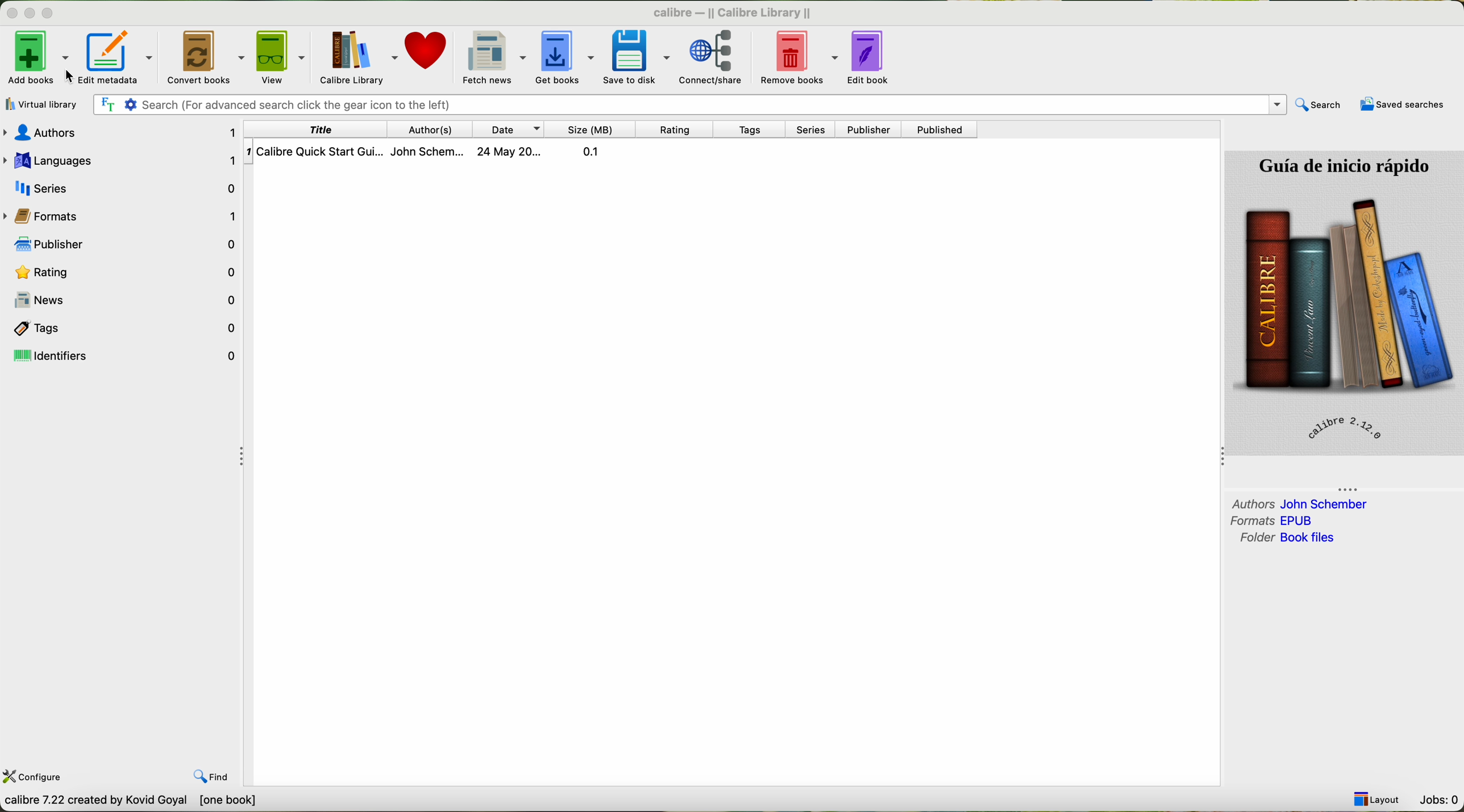 The image size is (1464, 812). What do you see at coordinates (795, 57) in the screenshot?
I see `remove books` at bounding box center [795, 57].